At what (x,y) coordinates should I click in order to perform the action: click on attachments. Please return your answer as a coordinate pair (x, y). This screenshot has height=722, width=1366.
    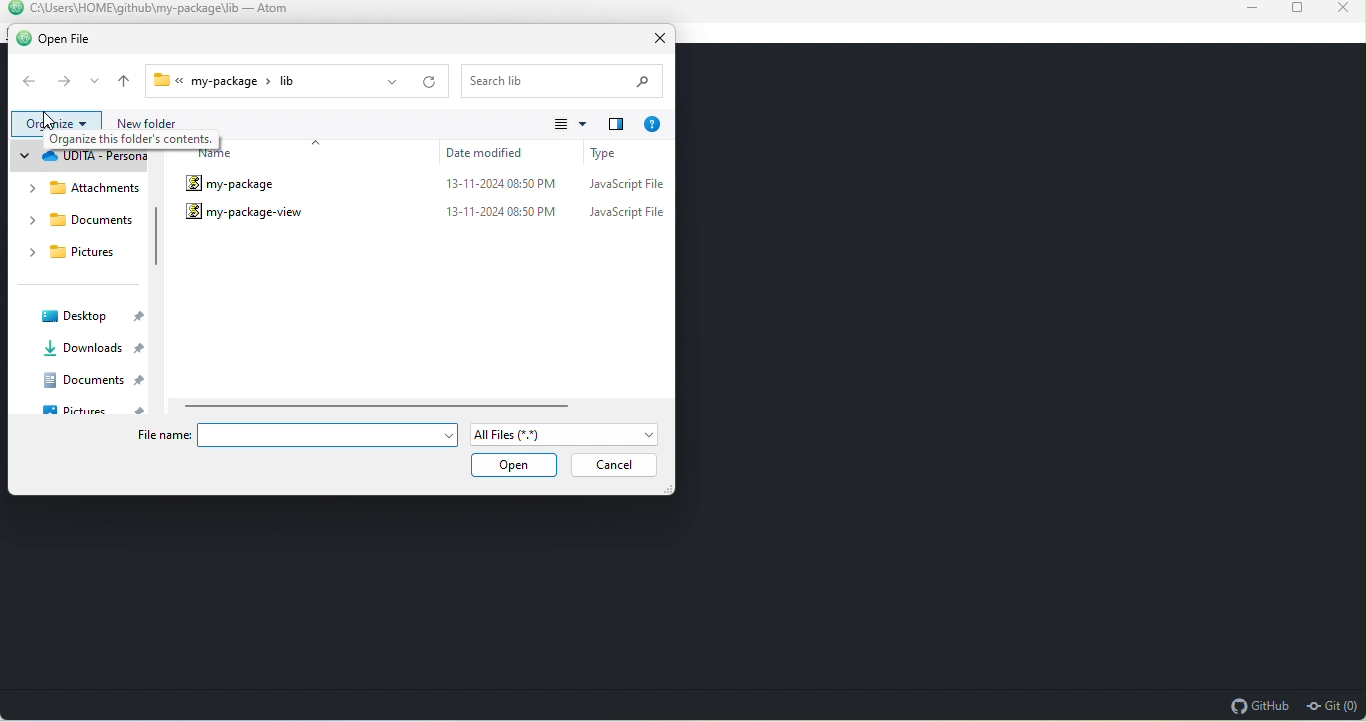
    Looking at the image, I should click on (82, 190).